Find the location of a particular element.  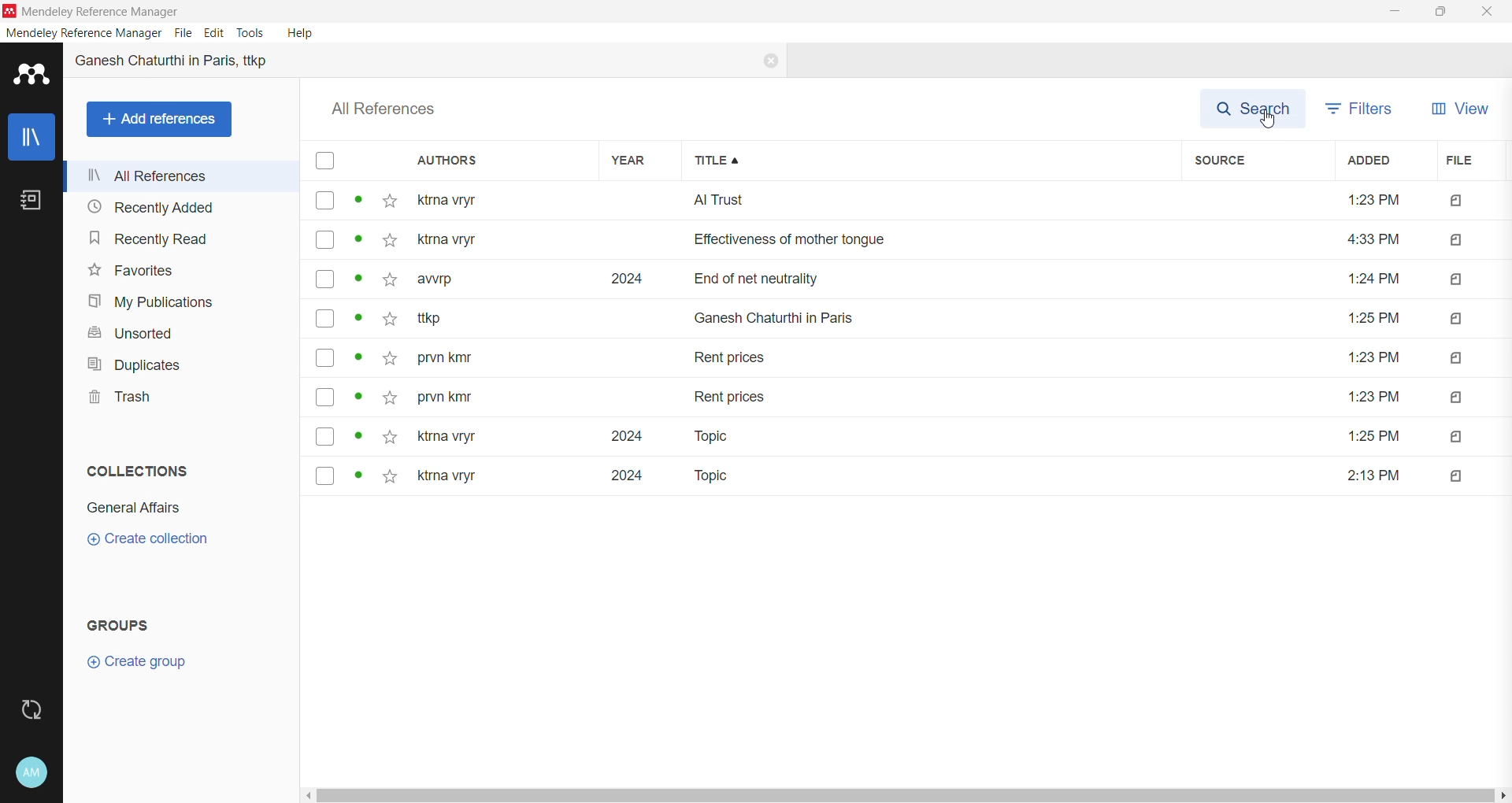

Close is located at coordinates (769, 62).